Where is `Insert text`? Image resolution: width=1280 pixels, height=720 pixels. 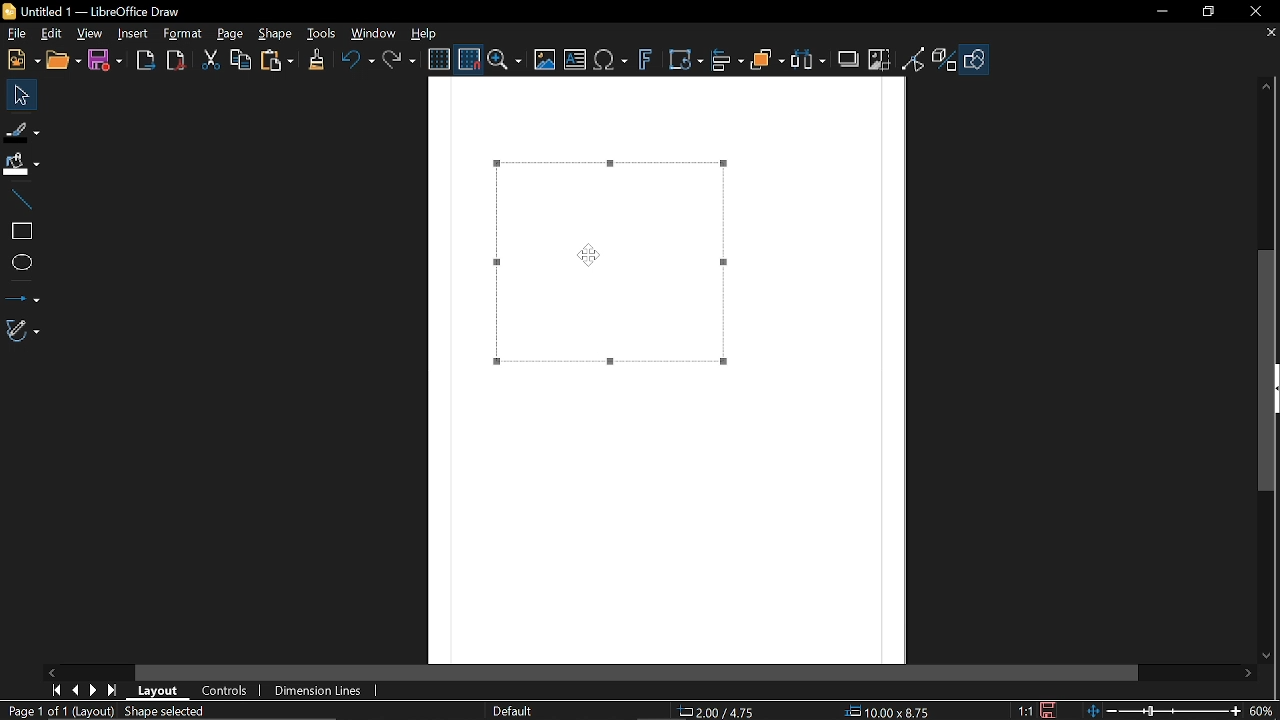
Insert text is located at coordinates (612, 61).